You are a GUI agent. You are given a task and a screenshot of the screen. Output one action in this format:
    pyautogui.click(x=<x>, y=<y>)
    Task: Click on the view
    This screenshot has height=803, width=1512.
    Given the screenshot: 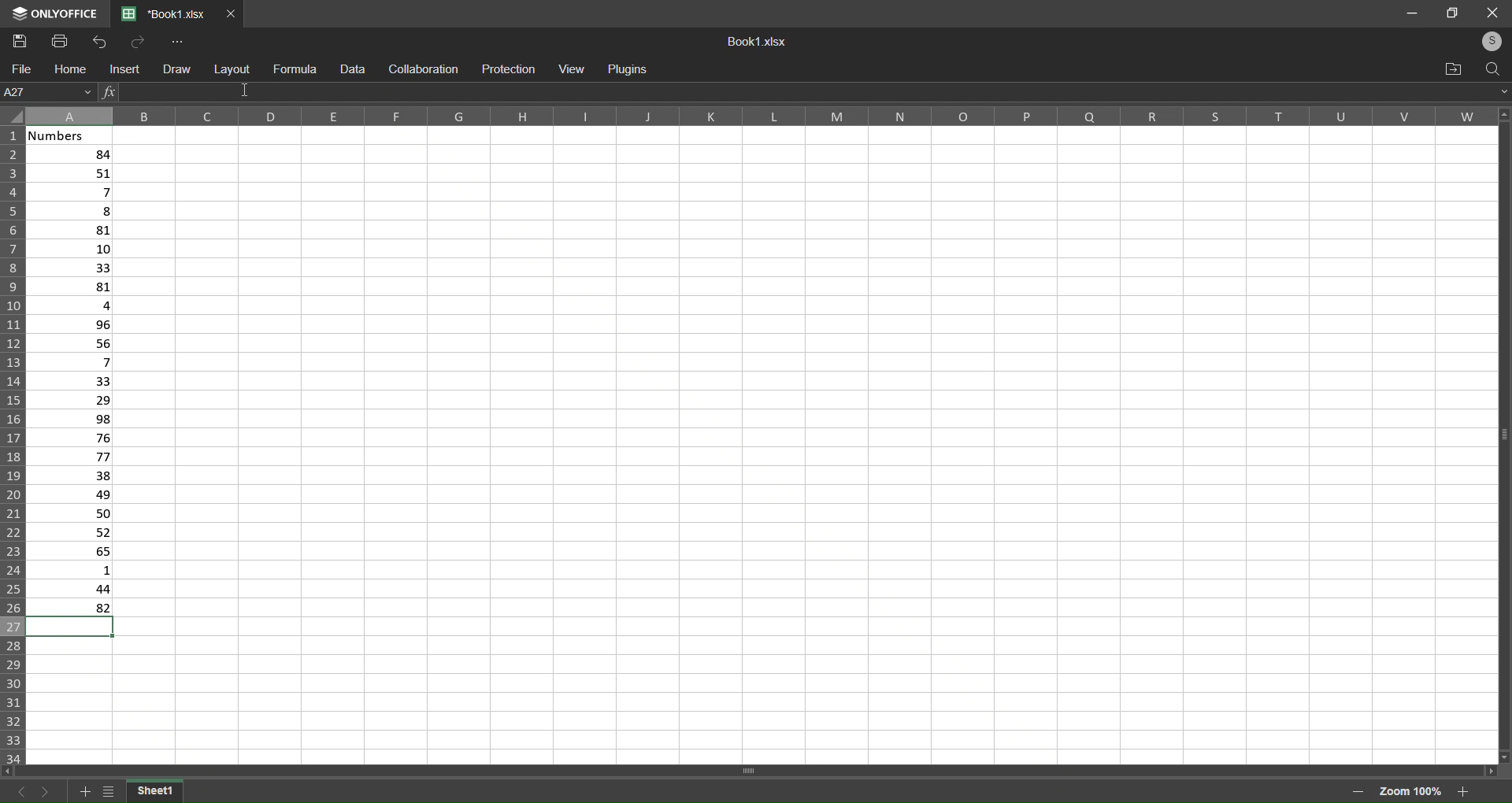 What is the action you would take?
    pyautogui.click(x=570, y=71)
    